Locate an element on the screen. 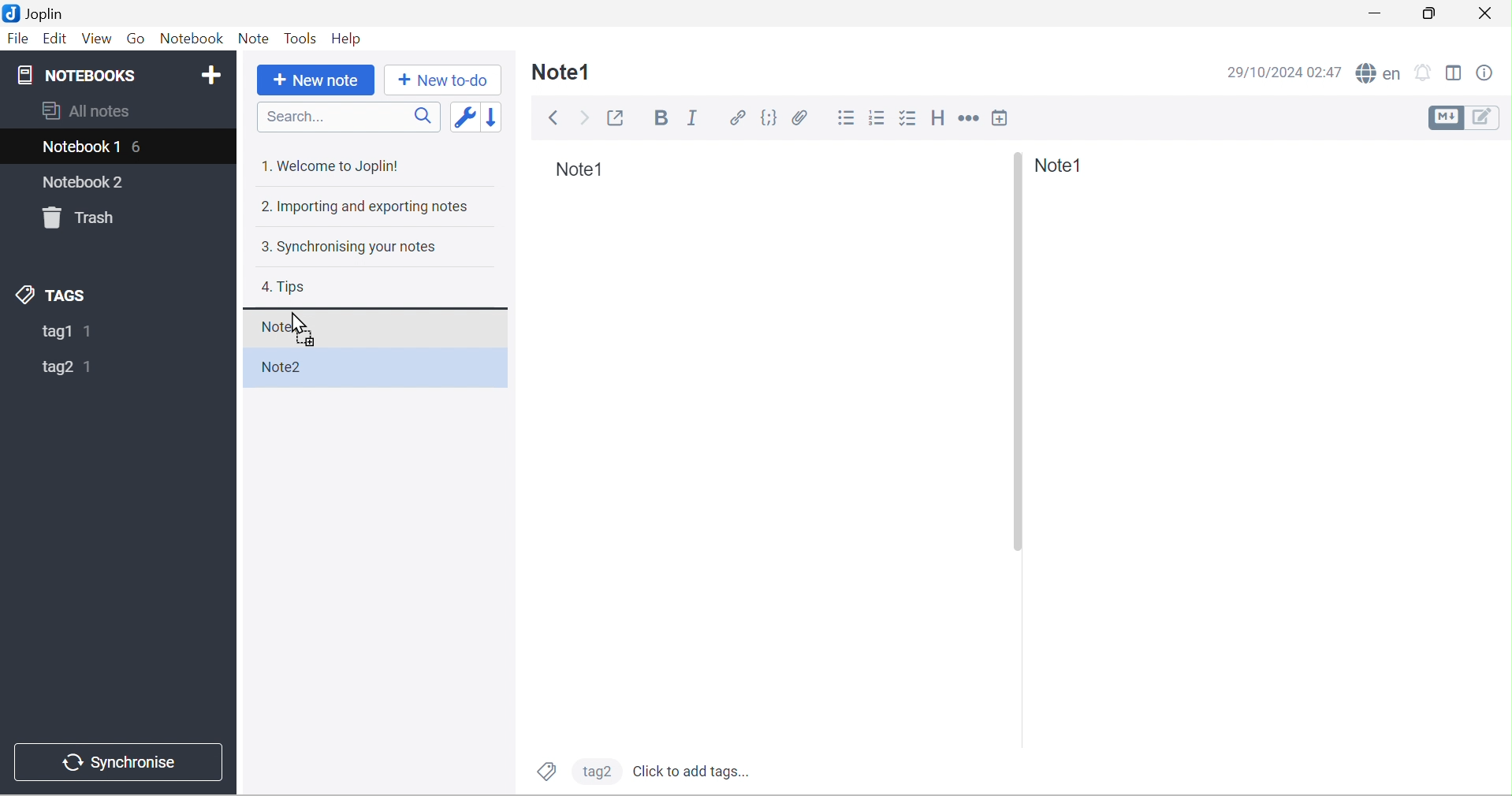  Joplin is located at coordinates (33, 13).